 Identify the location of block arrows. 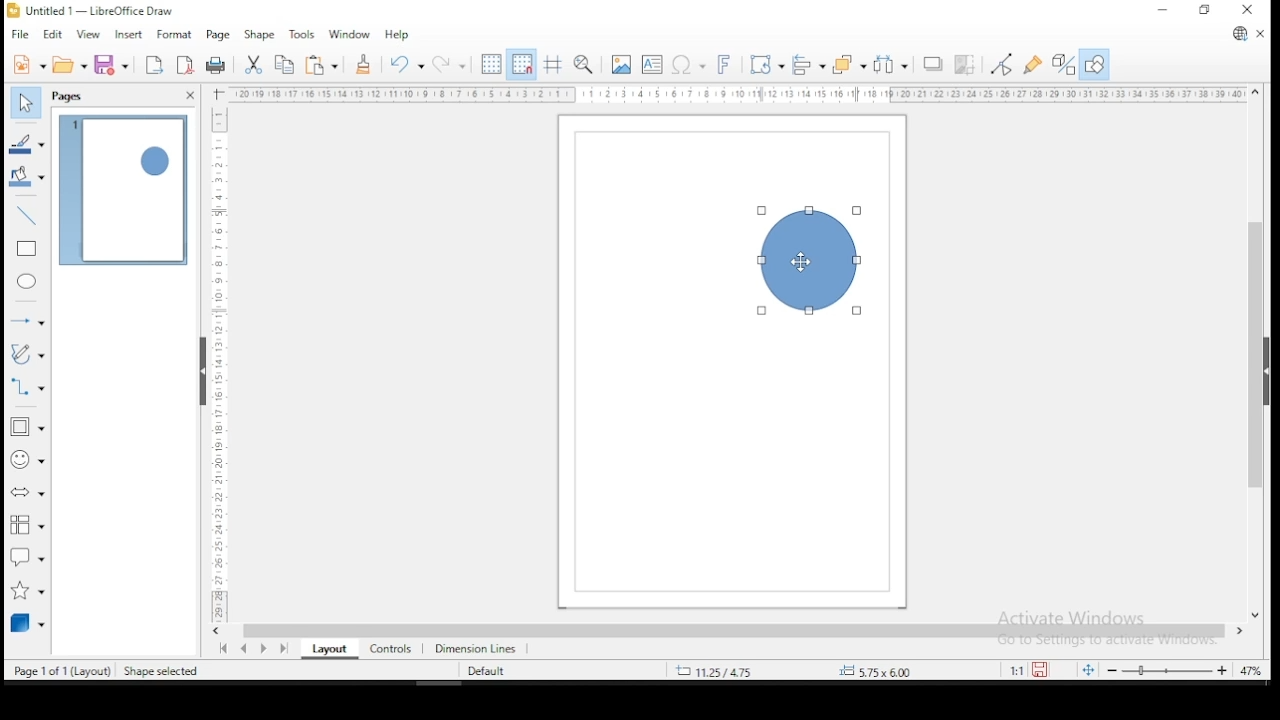
(28, 495).